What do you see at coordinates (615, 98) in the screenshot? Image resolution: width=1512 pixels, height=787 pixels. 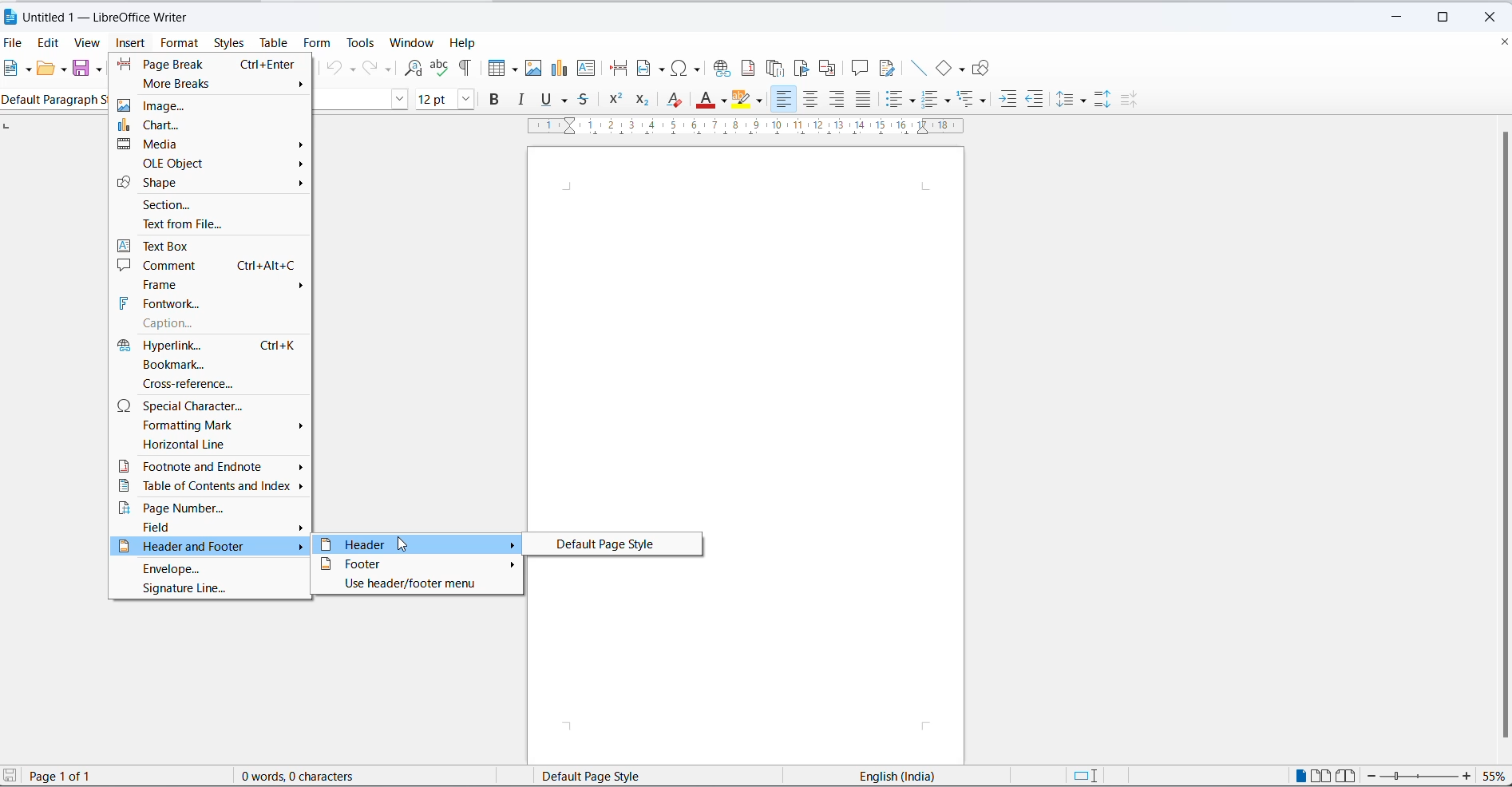 I see `superscript` at bounding box center [615, 98].